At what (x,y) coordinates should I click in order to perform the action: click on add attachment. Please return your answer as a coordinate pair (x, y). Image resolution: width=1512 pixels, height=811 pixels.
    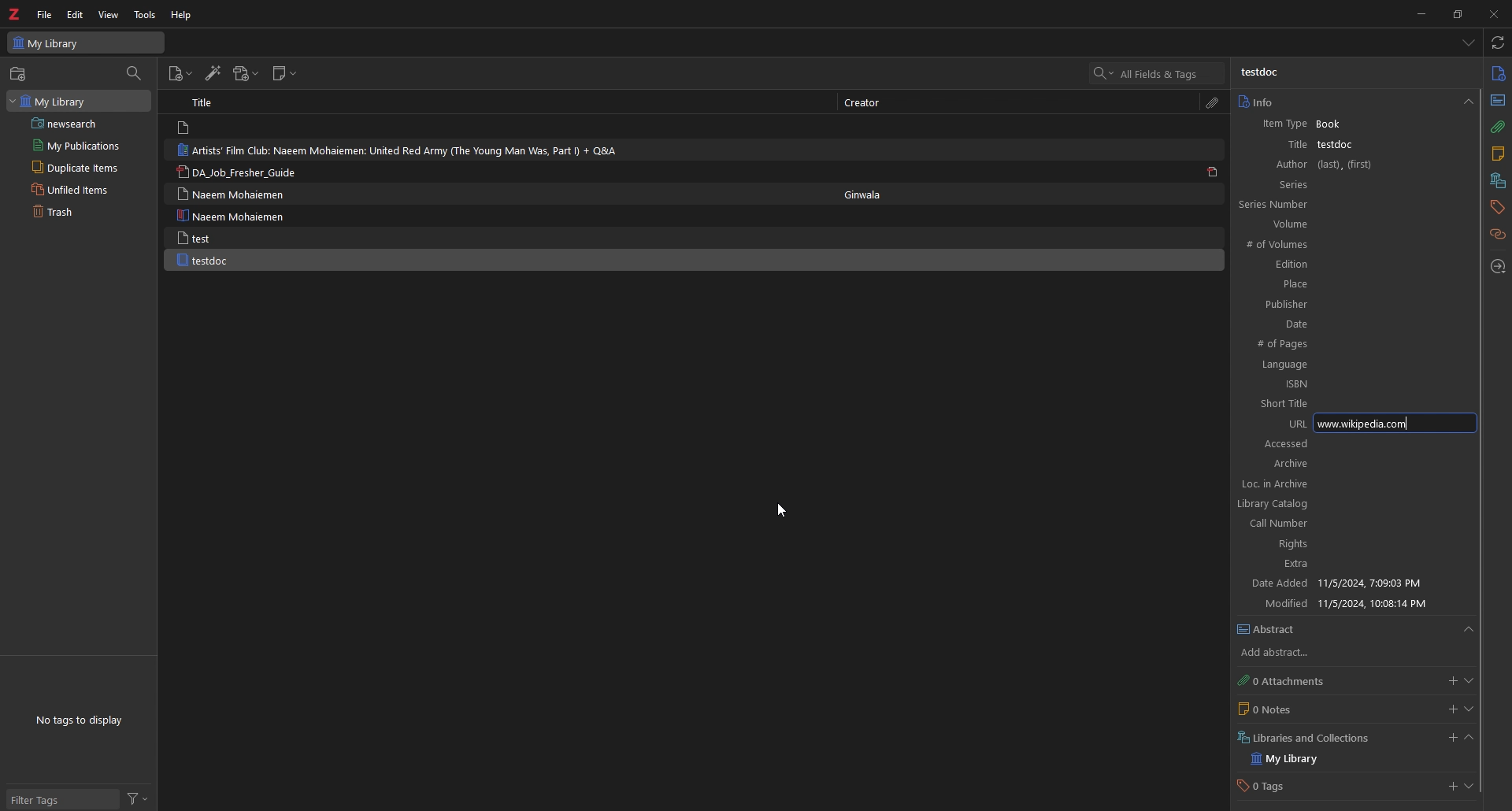
    Looking at the image, I should click on (246, 73).